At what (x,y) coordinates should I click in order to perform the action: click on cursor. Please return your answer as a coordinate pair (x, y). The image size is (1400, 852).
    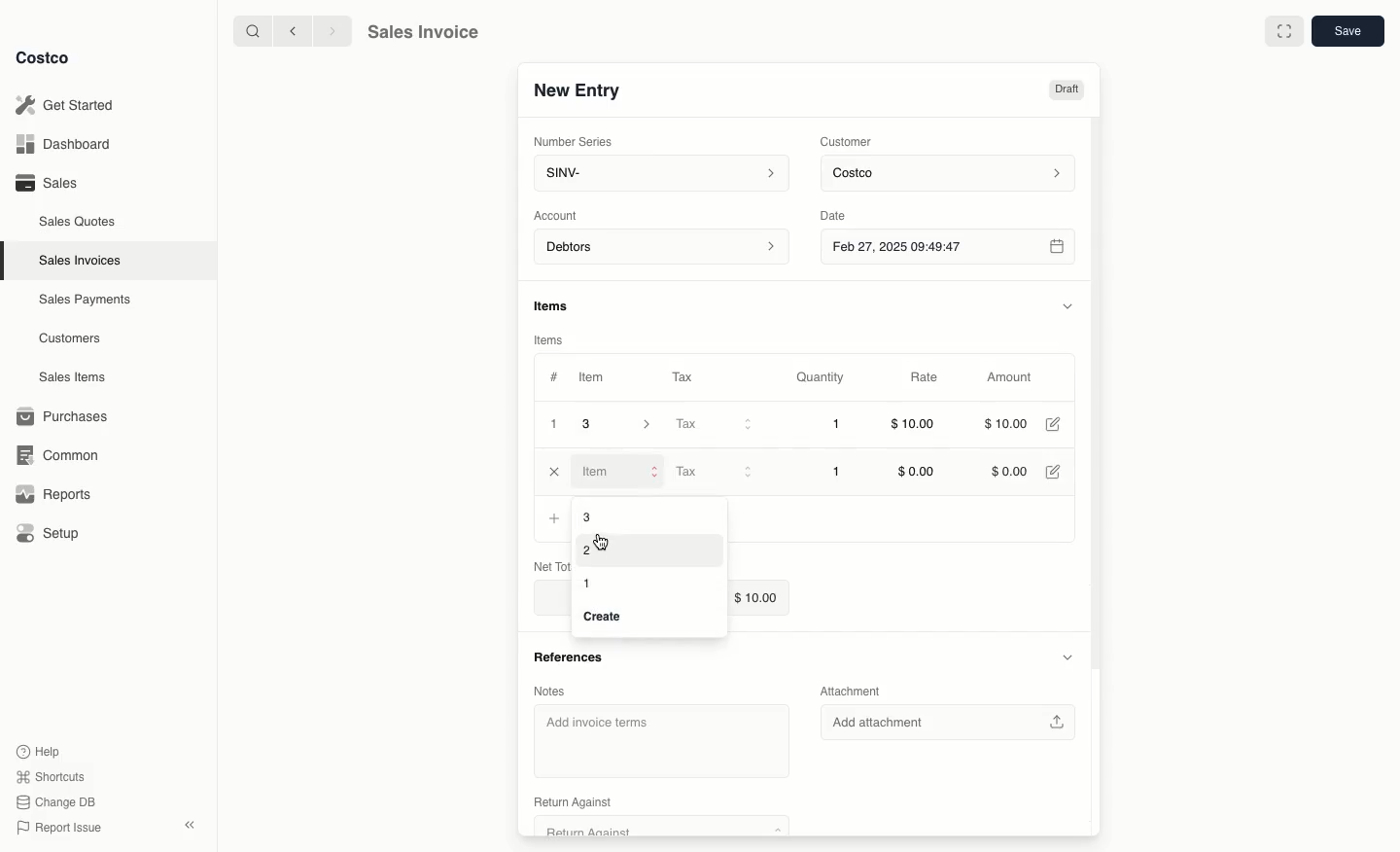
    Looking at the image, I should click on (606, 543).